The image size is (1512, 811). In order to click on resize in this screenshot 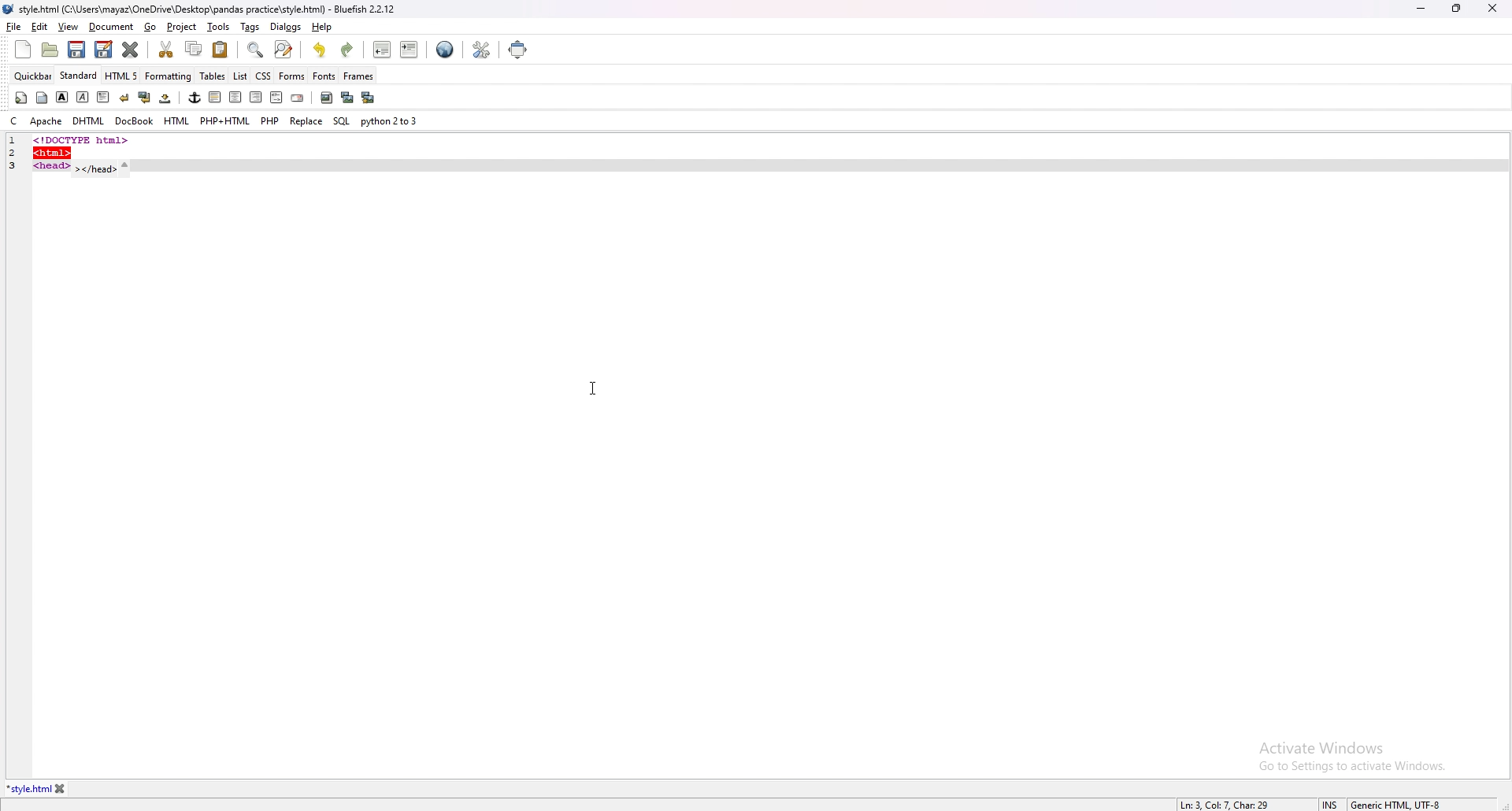, I will do `click(1456, 8)`.